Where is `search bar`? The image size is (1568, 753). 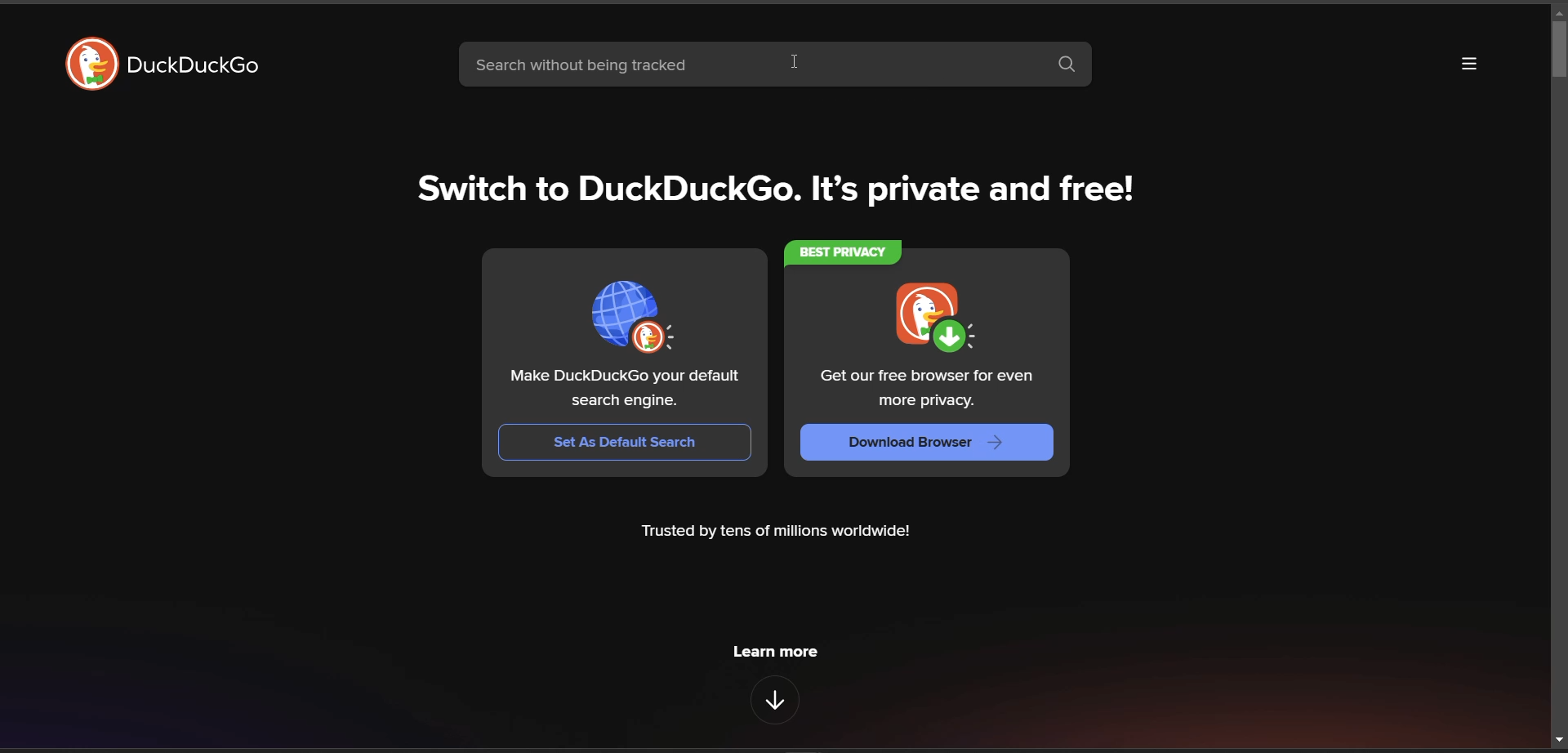
search bar is located at coordinates (746, 64).